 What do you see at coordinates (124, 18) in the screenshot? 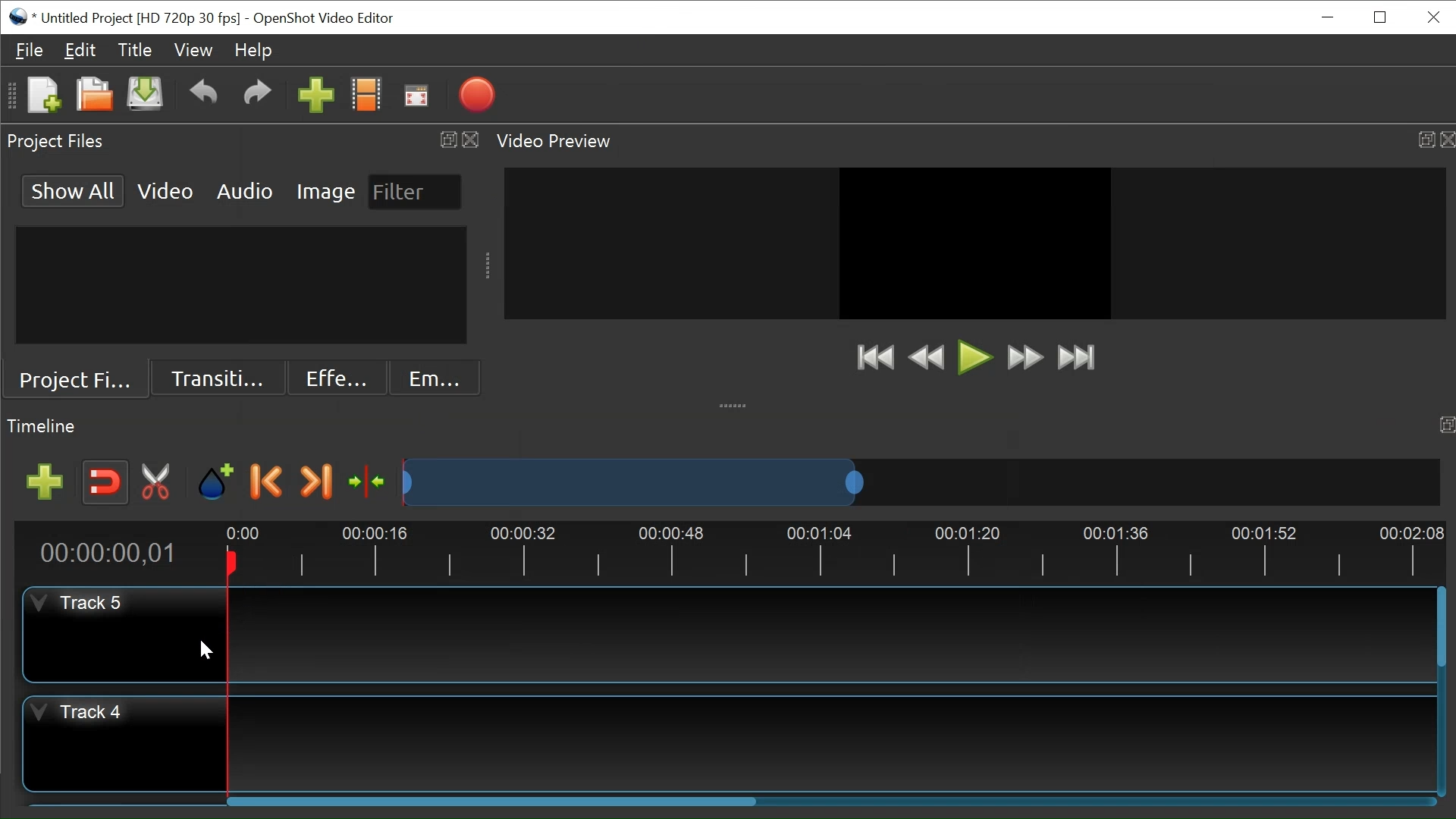
I see `File Name` at bounding box center [124, 18].